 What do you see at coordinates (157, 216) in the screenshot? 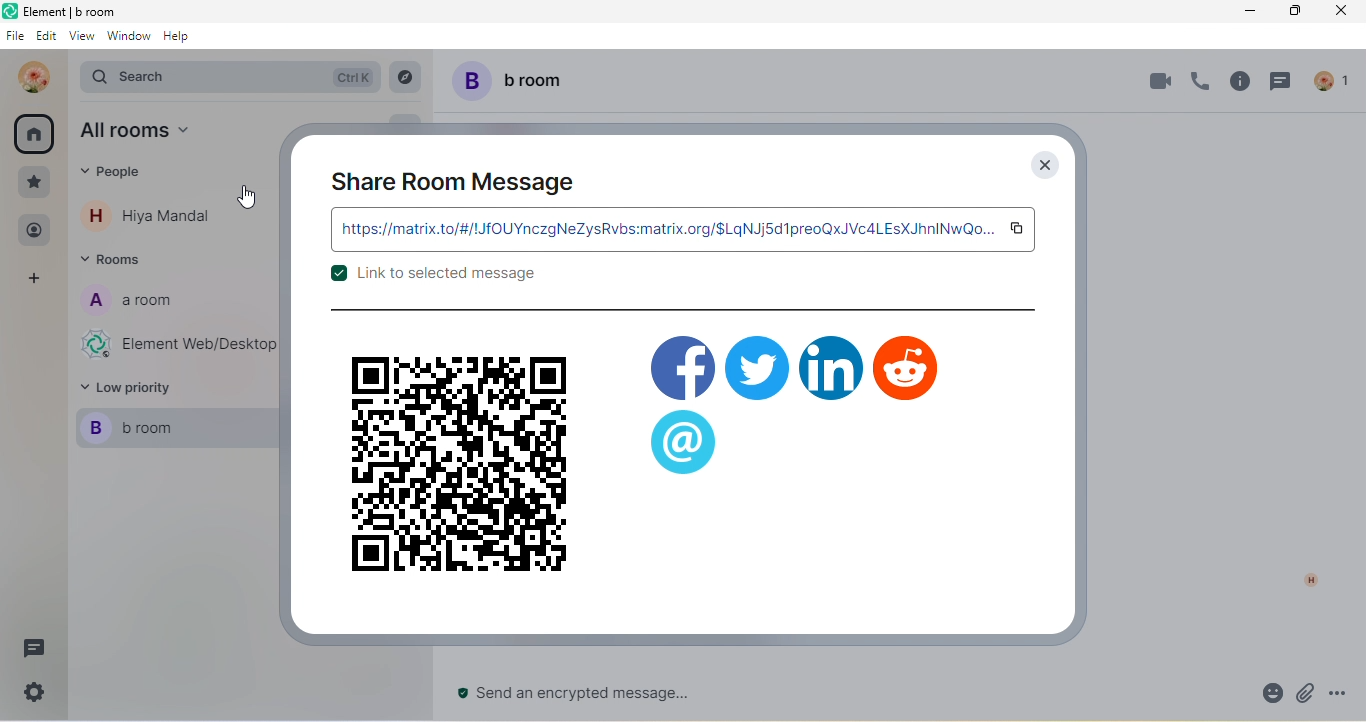
I see `hiya mandal` at bounding box center [157, 216].